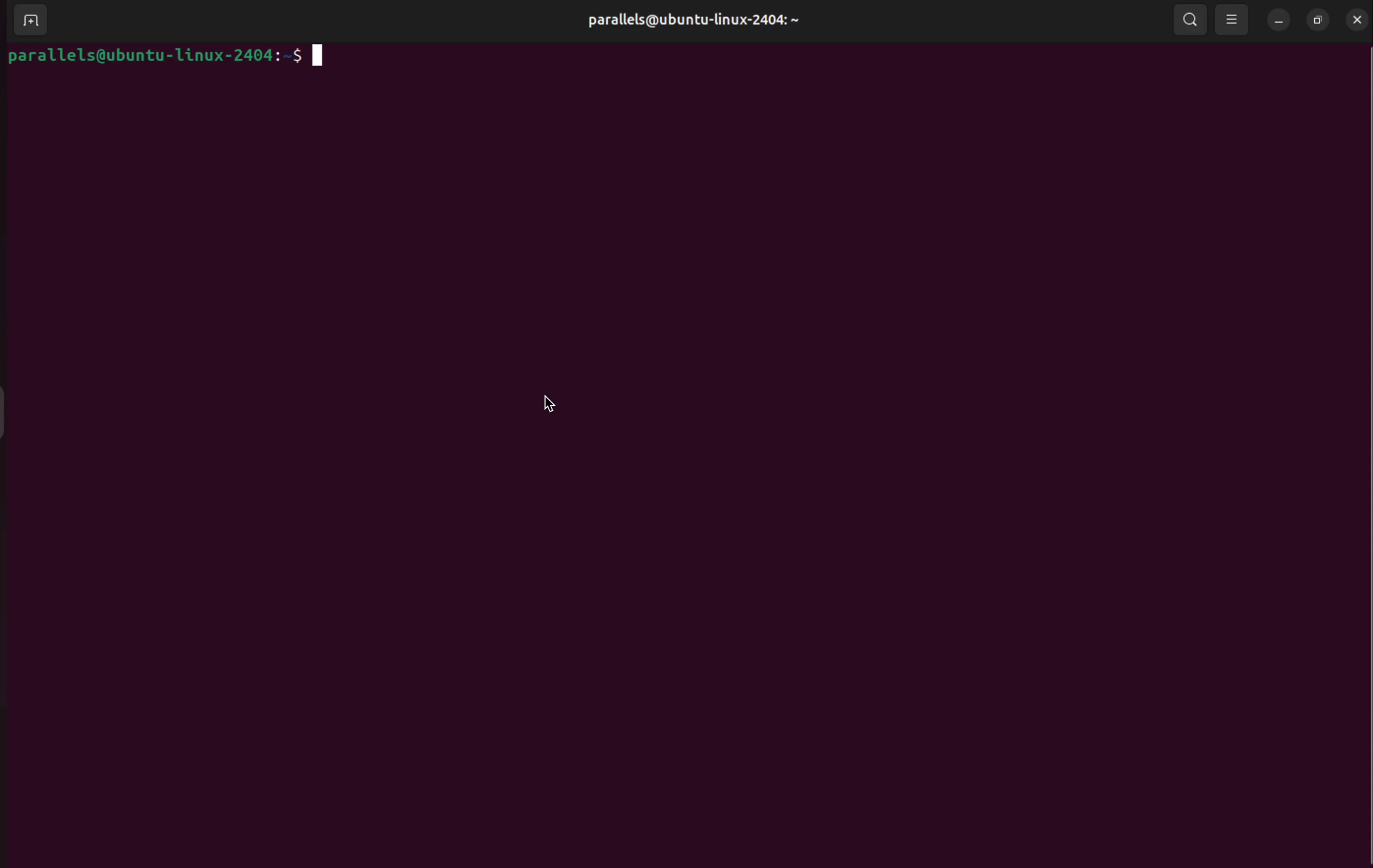  What do you see at coordinates (225, 59) in the screenshot?
I see `parallels@ubuntu-1linux-2404:-$ | |` at bounding box center [225, 59].